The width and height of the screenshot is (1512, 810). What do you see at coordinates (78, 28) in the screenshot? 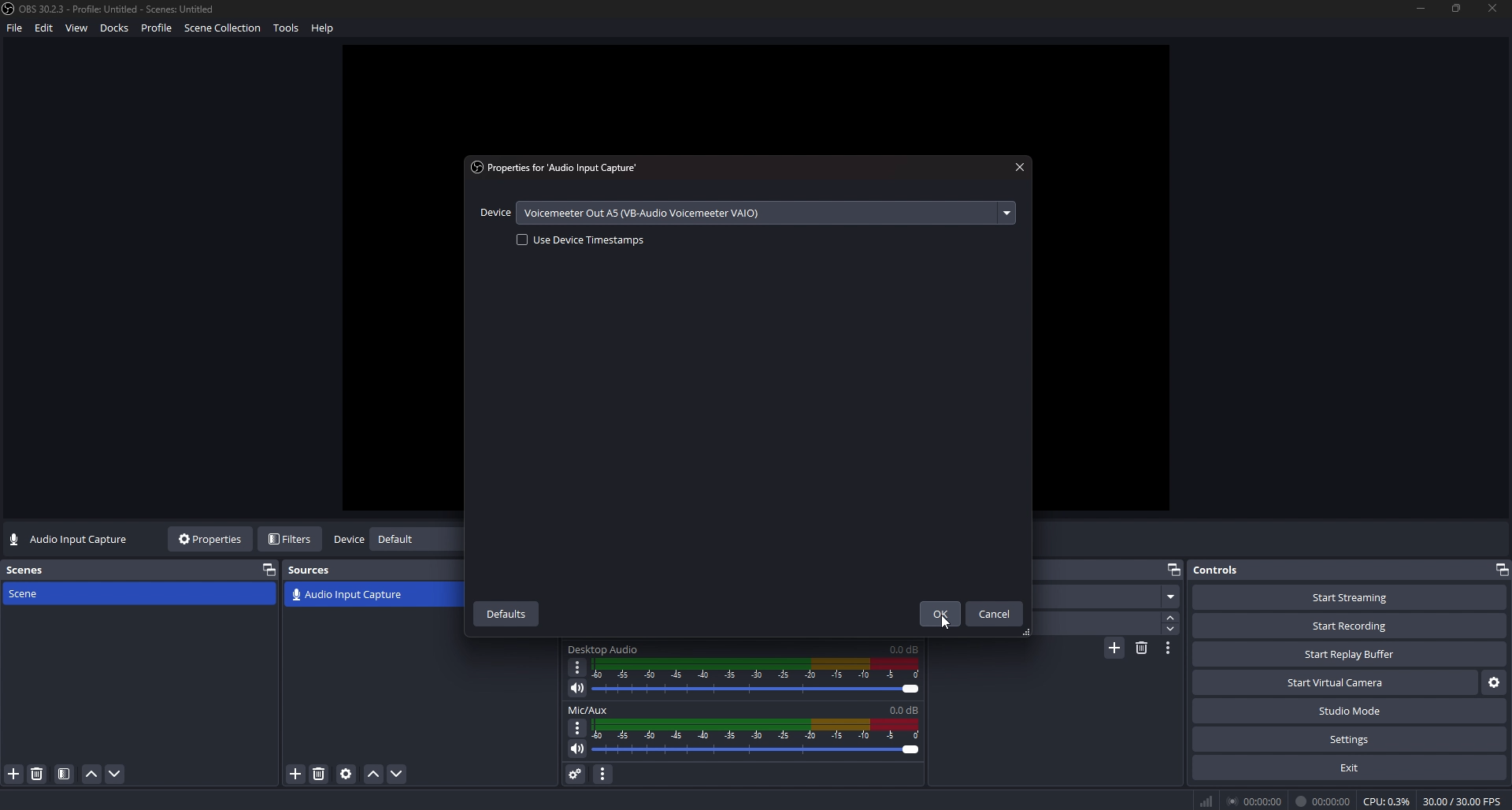
I see `View` at bounding box center [78, 28].